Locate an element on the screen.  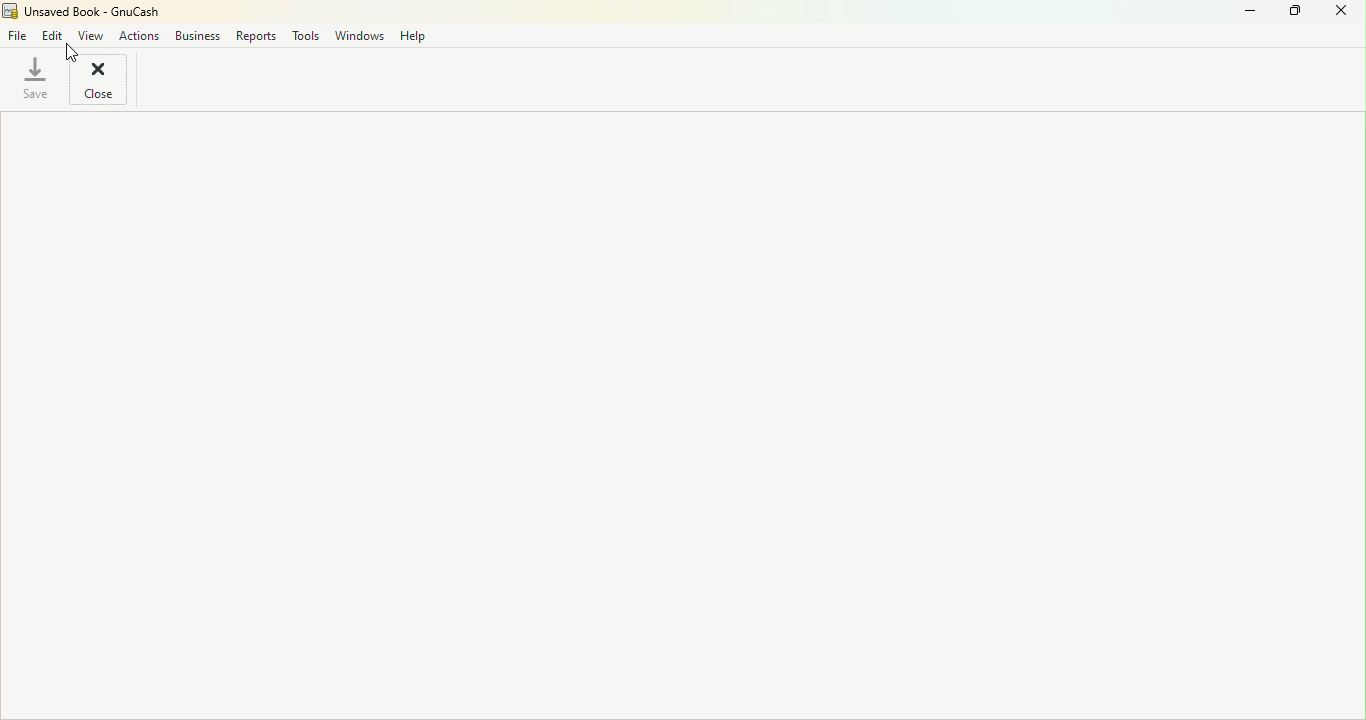
Save is located at coordinates (34, 78).